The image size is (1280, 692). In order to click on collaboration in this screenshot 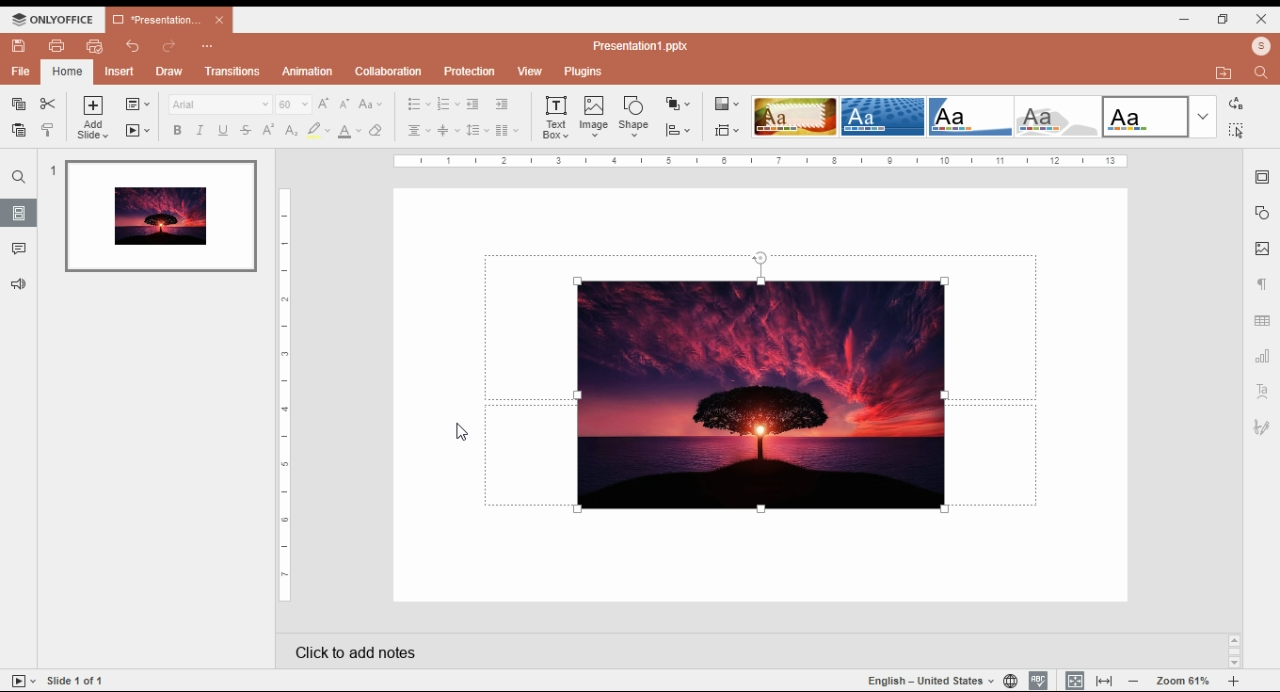, I will do `click(388, 71)`.